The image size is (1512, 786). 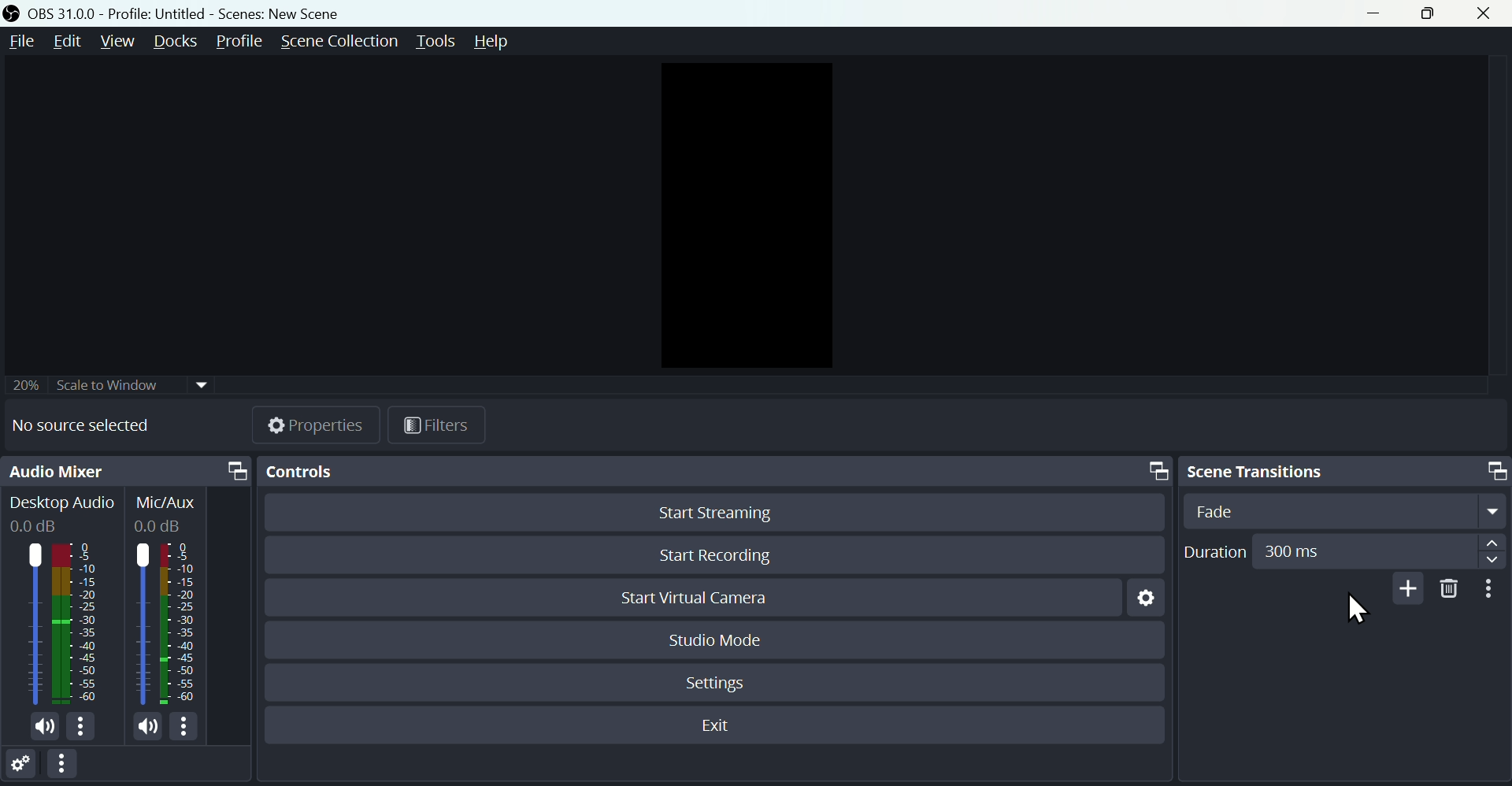 I want to click on Audio mixer, so click(x=127, y=467).